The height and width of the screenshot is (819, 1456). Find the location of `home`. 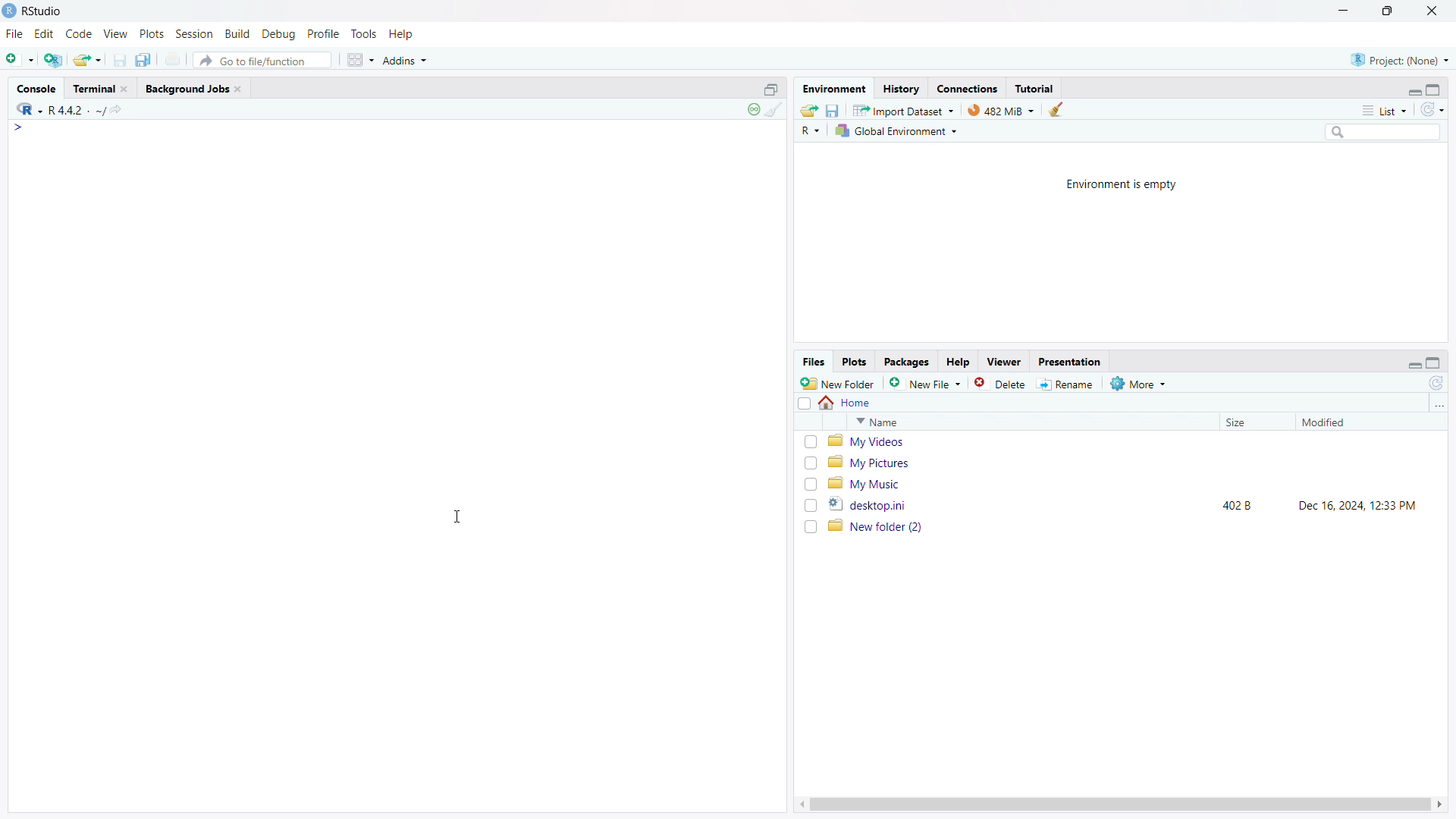

home is located at coordinates (846, 403).